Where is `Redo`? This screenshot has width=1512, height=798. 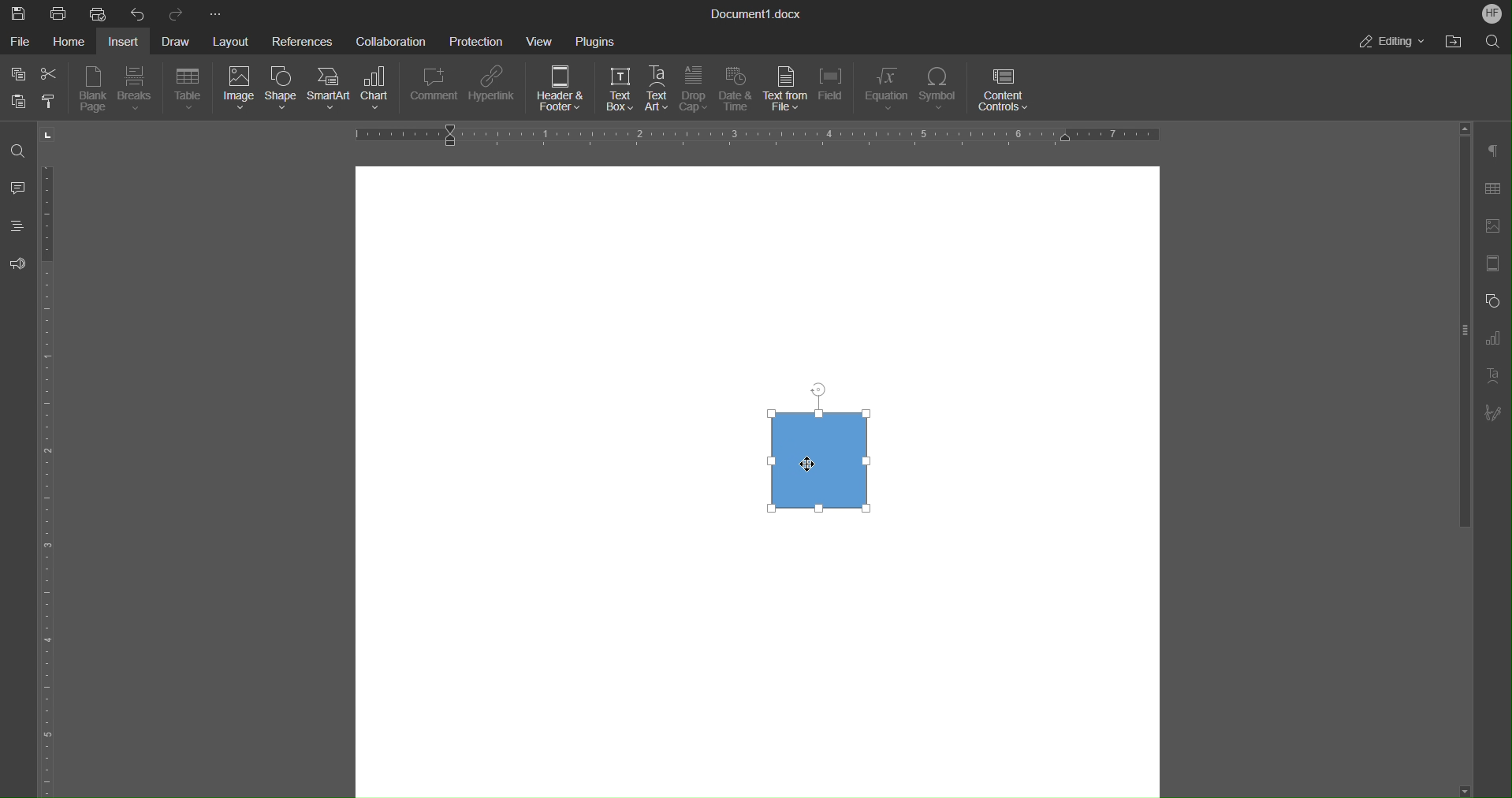
Redo is located at coordinates (177, 13).